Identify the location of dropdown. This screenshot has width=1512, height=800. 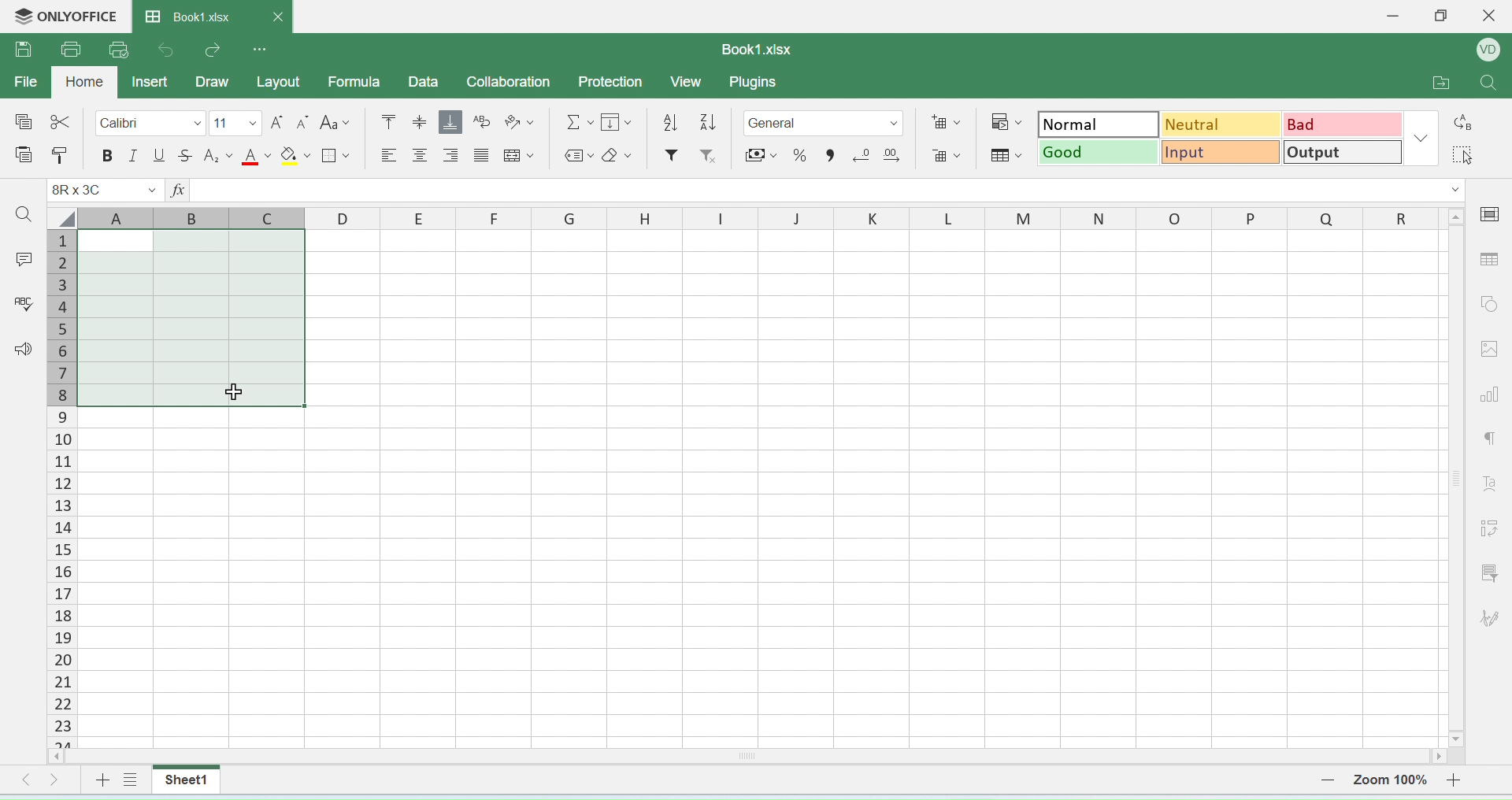
(1423, 139).